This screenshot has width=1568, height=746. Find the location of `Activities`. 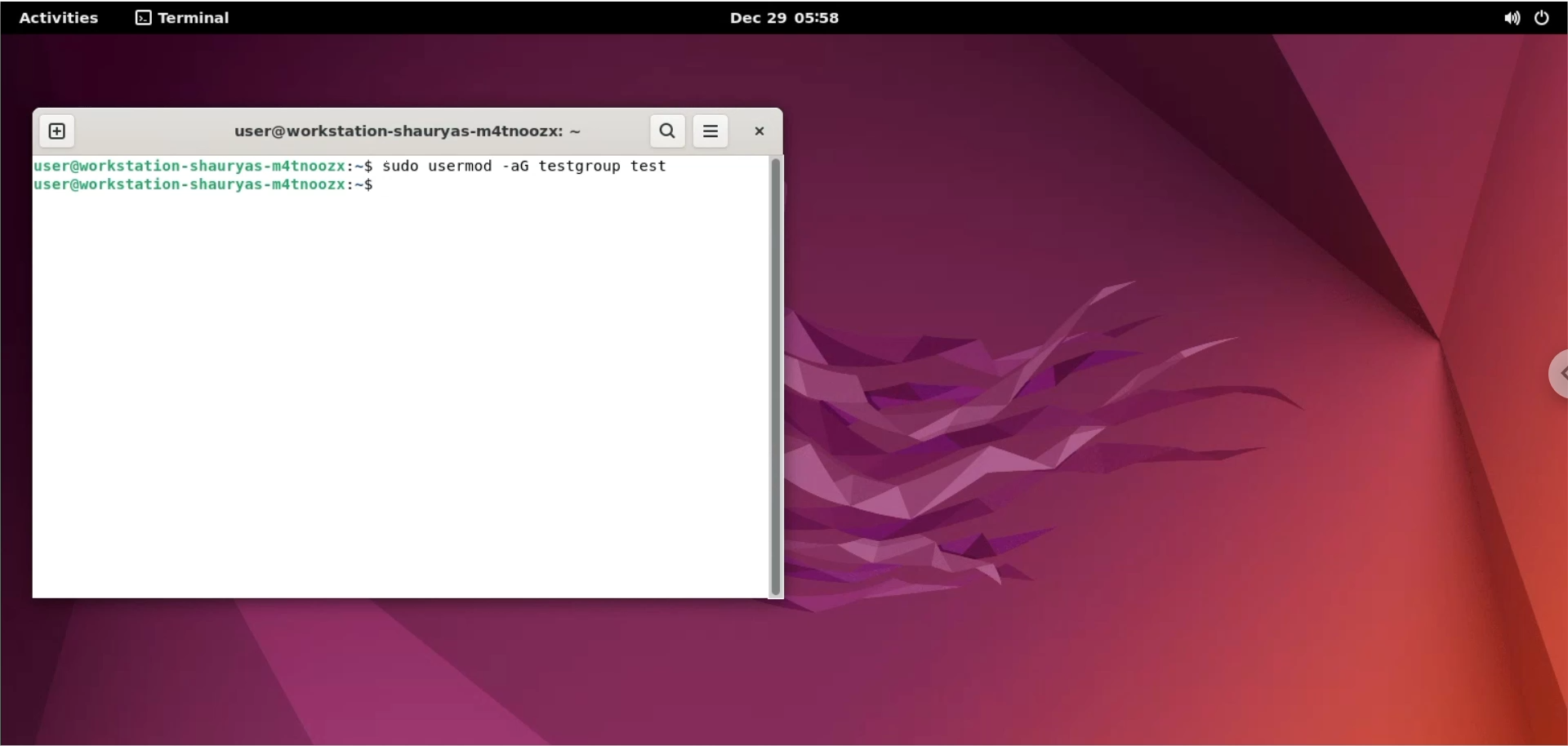

Activities is located at coordinates (61, 18).